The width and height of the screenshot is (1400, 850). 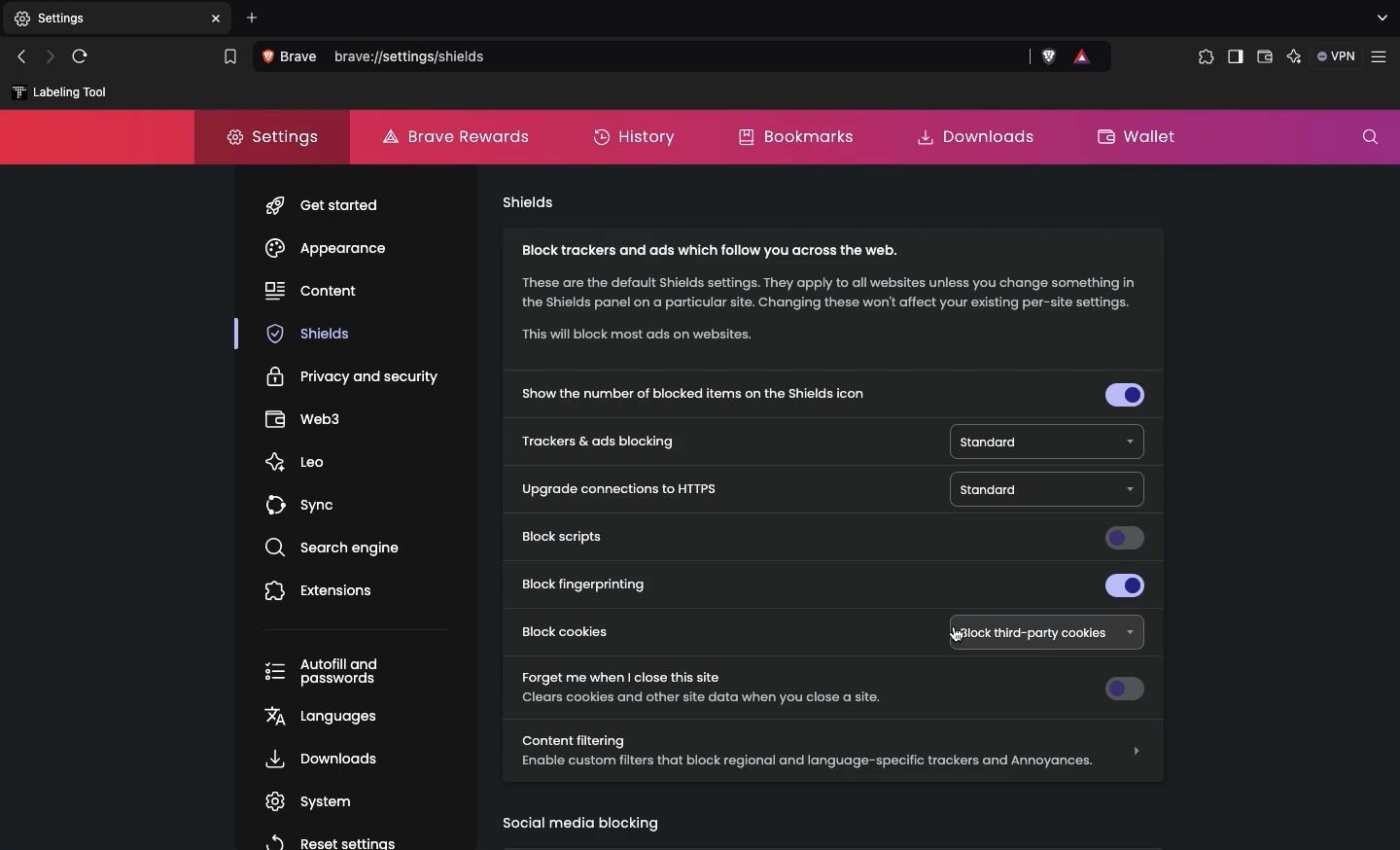 What do you see at coordinates (456, 136) in the screenshot?
I see `Brave rewards` at bounding box center [456, 136].